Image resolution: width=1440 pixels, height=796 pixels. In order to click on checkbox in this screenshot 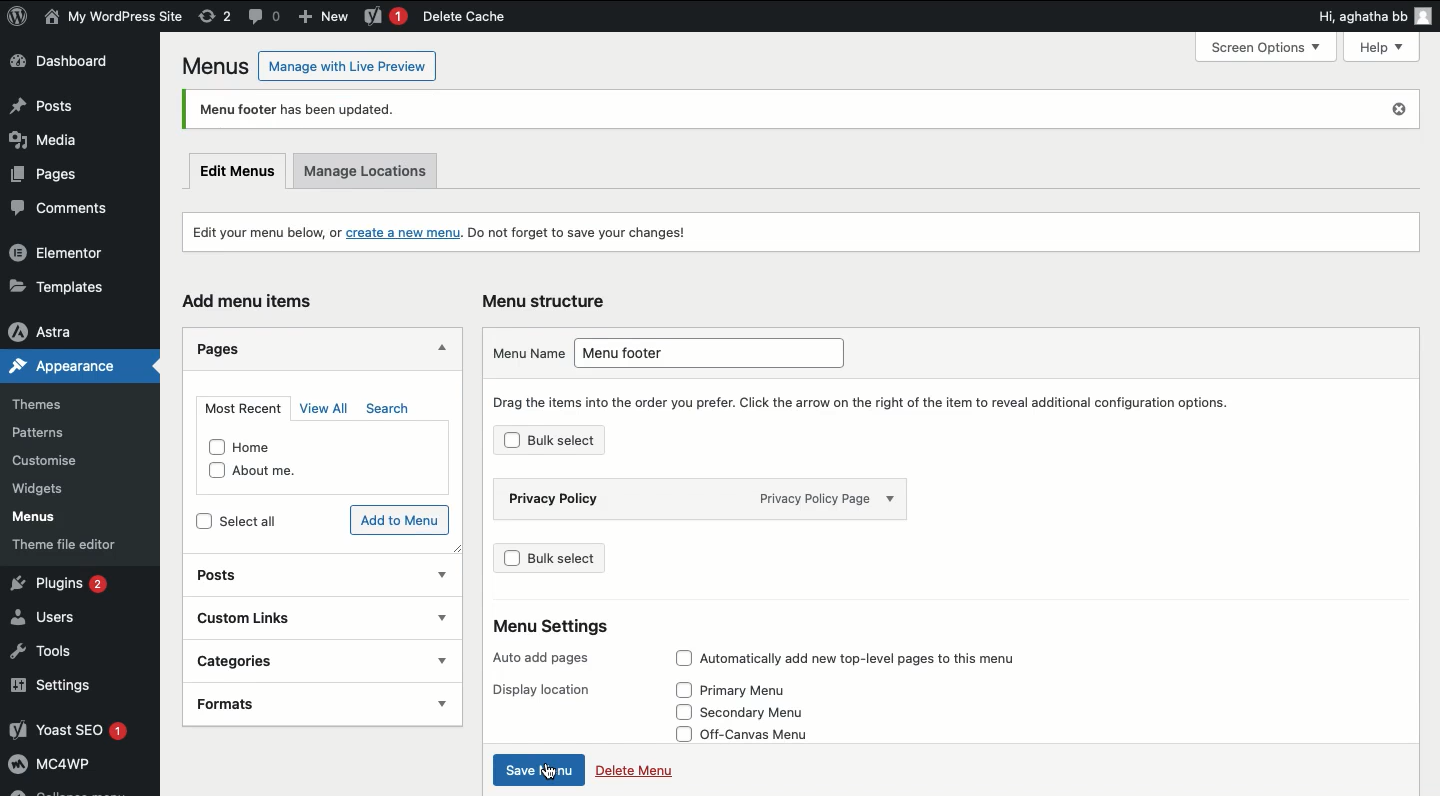, I will do `click(215, 447)`.